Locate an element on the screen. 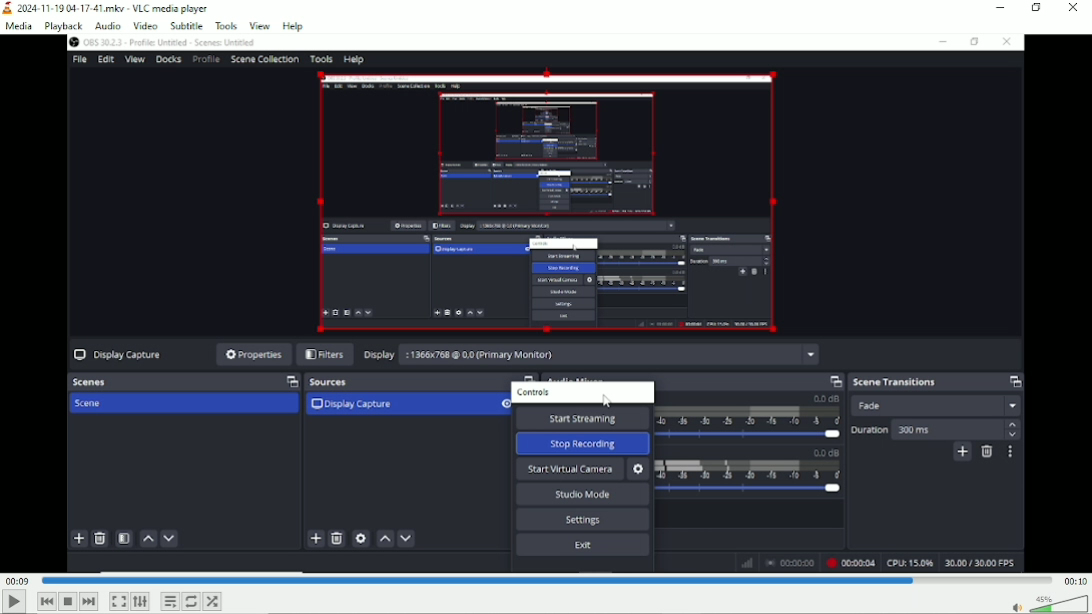 The image size is (1092, 614). Stop playlist is located at coordinates (68, 602).